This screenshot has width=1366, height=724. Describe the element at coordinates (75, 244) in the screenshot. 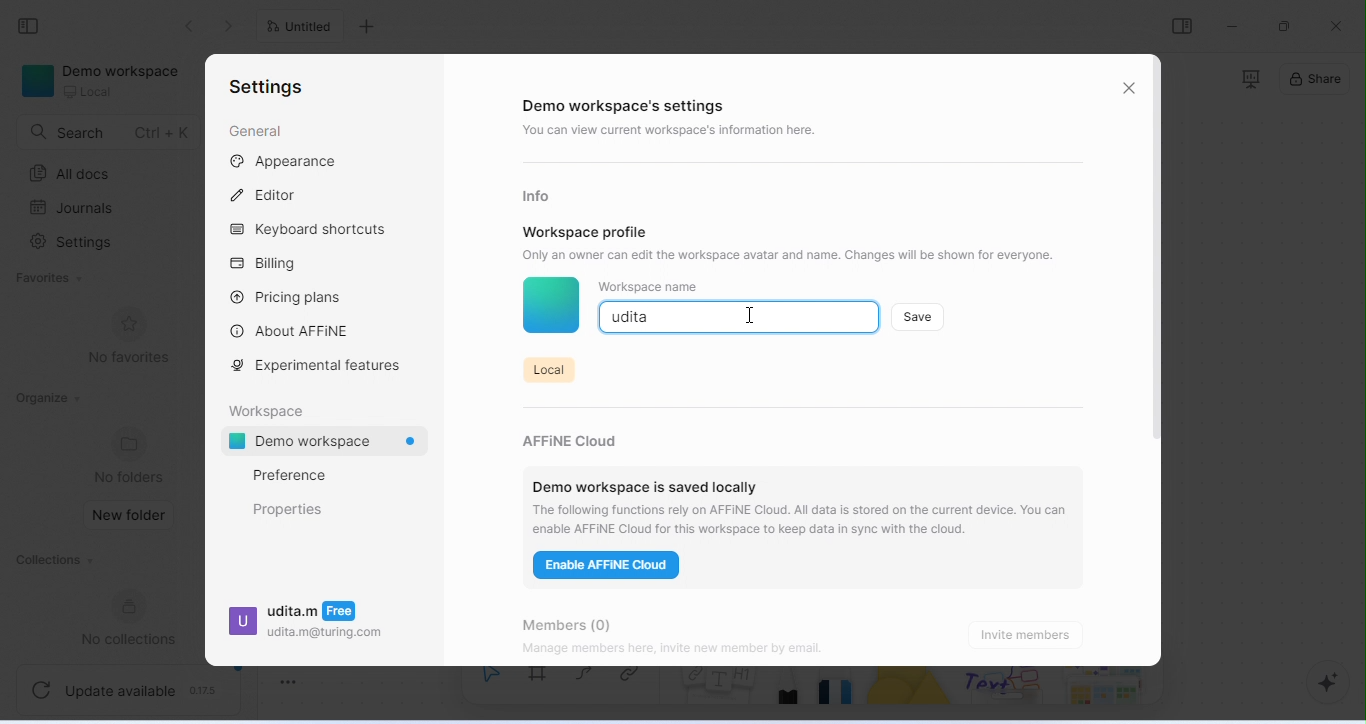

I see `settings` at that location.